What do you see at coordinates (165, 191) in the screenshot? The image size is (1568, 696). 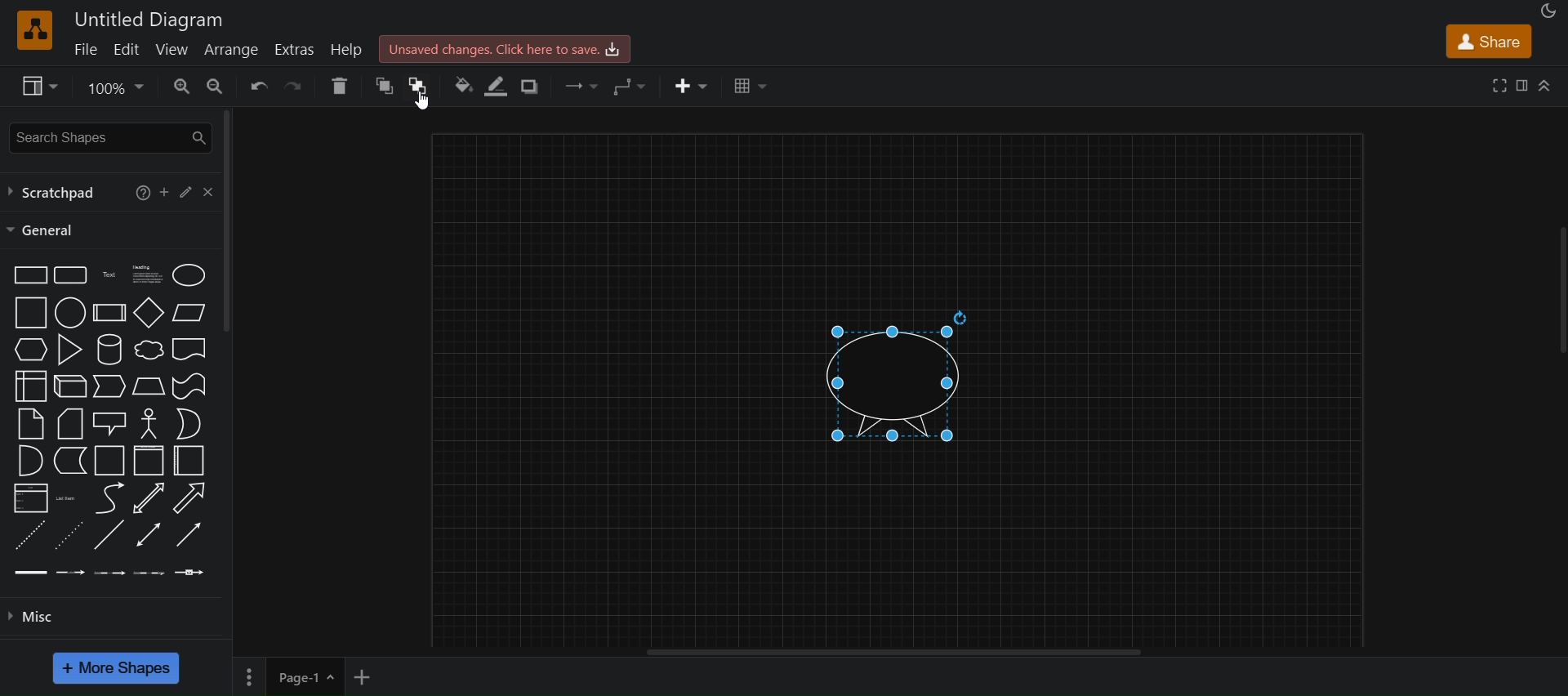 I see `add` at bounding box center [165, 191].